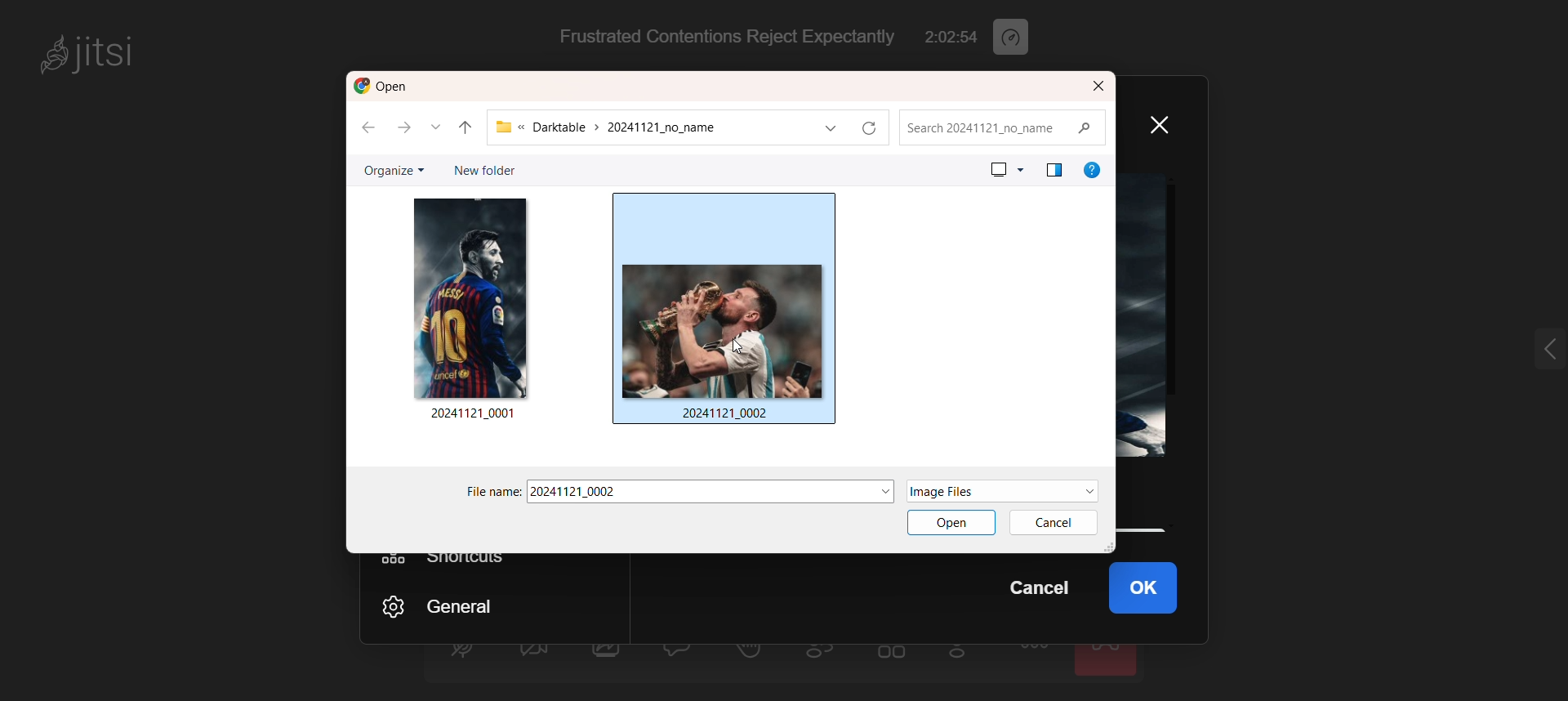  What do you see at coordinates (461, 654) in the screenshot?
I see `unmute mic` at bounding box center [461, 654].